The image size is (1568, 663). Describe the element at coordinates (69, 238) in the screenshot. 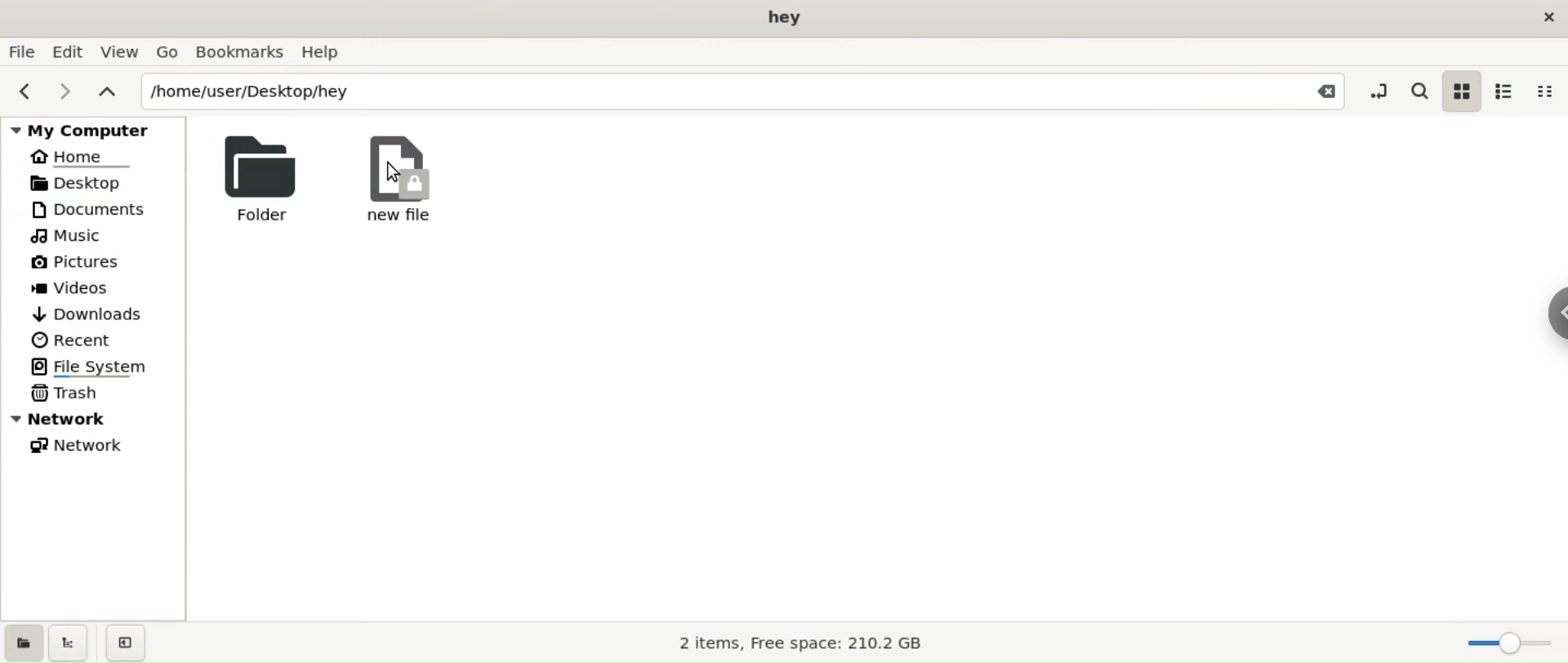

I see `Music` at that location.